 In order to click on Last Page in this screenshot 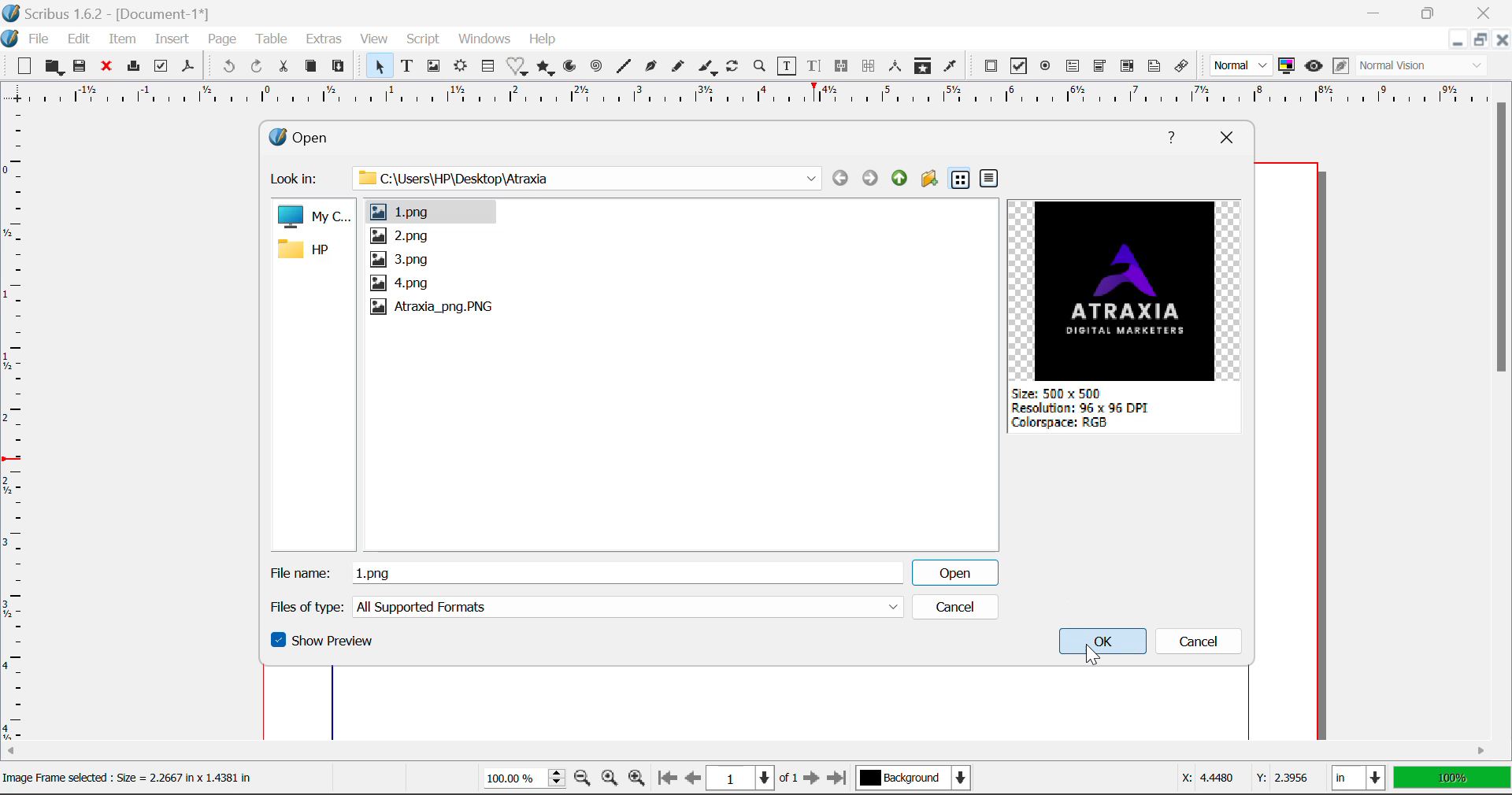, I will do `click(839, 778)`.